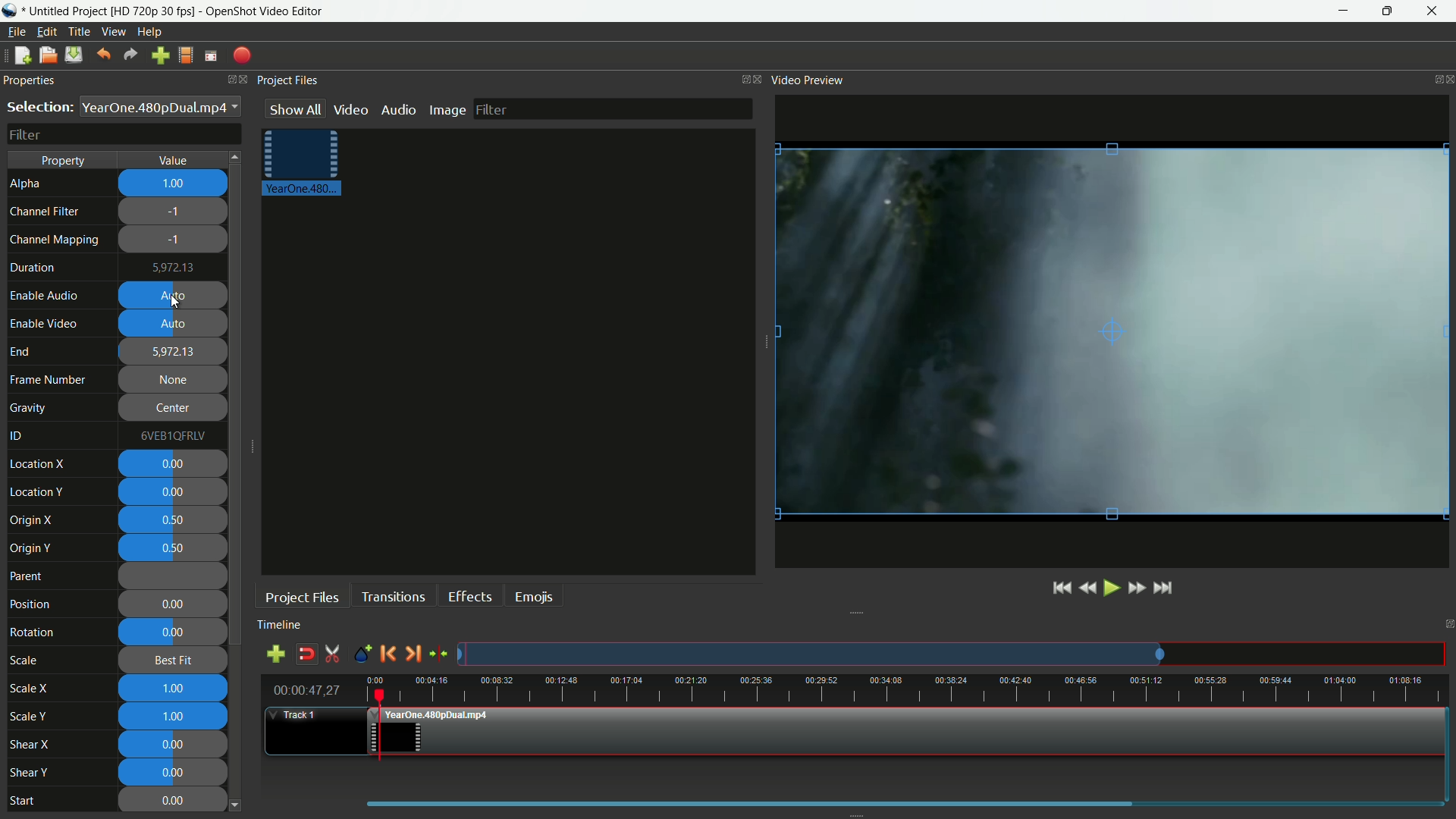 The height and width of the screenshot is (819, 1456). Describe the element at coordinates (46, 55) in the screenshot. I see `open file` at that location.